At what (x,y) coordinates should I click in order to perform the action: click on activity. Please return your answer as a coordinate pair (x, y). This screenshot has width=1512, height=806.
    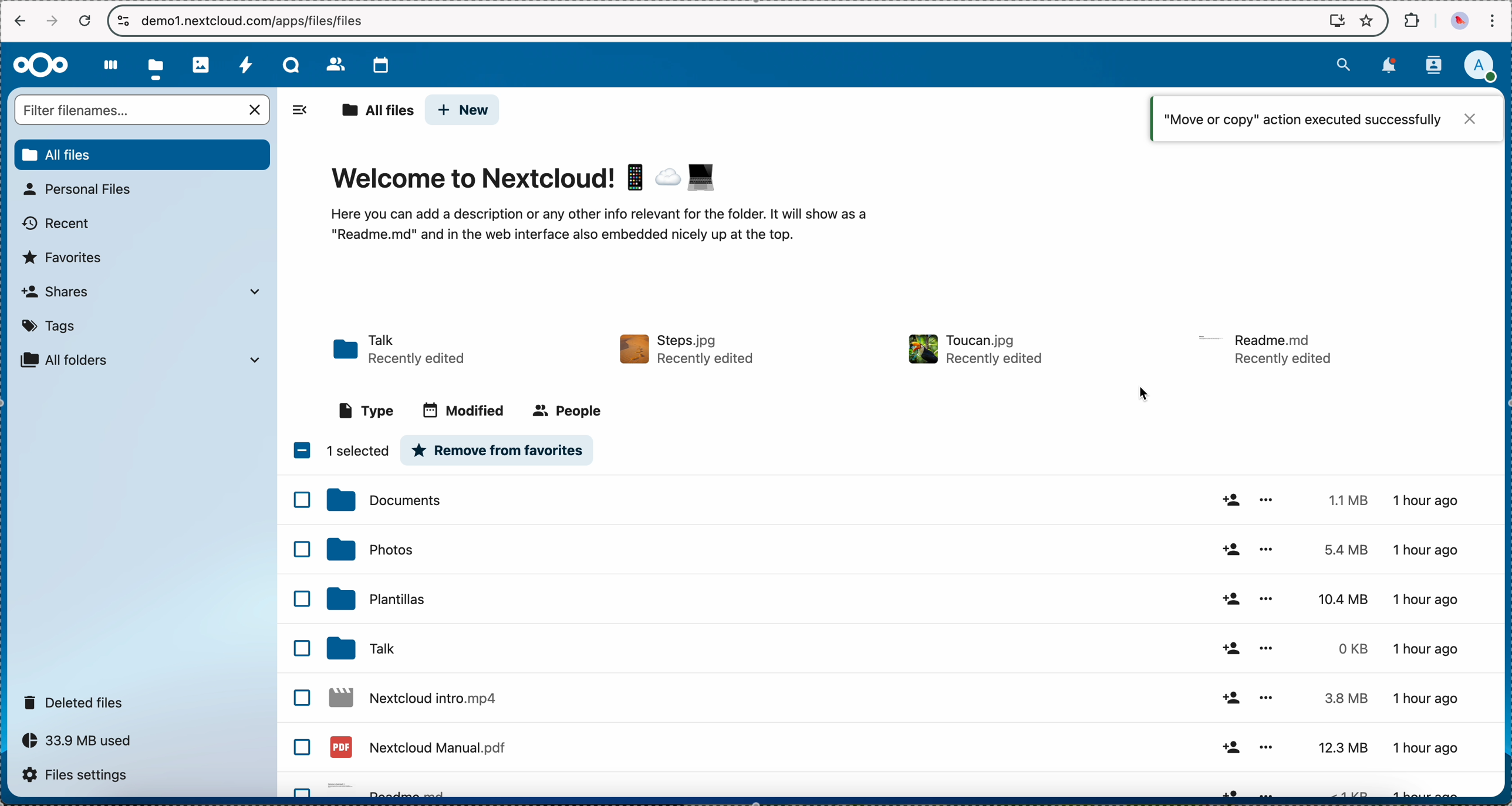
    Looking at the image, I should click on (245, 62).